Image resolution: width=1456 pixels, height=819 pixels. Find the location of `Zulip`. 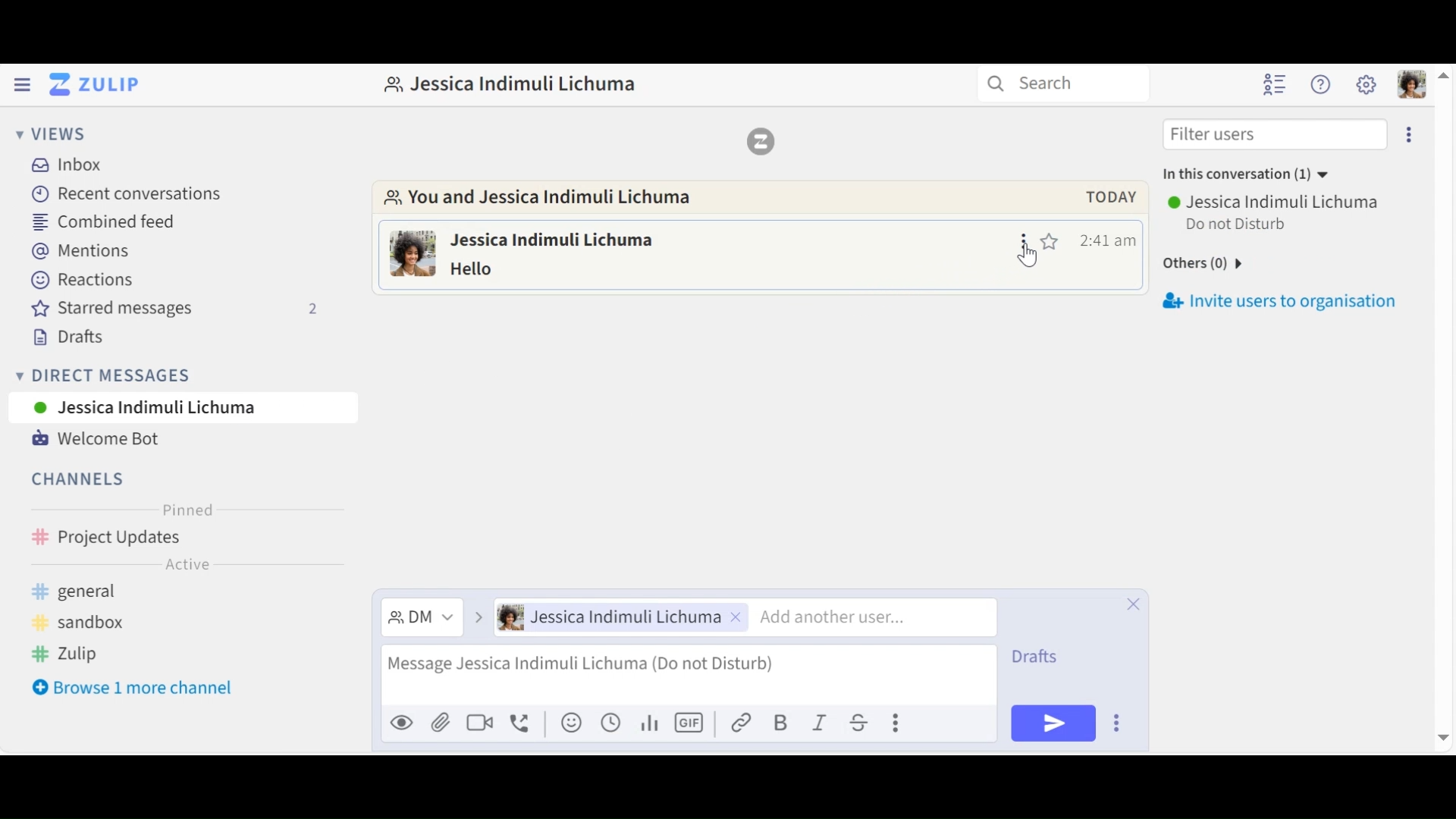

Zulip is located at coordinates (759, 140).